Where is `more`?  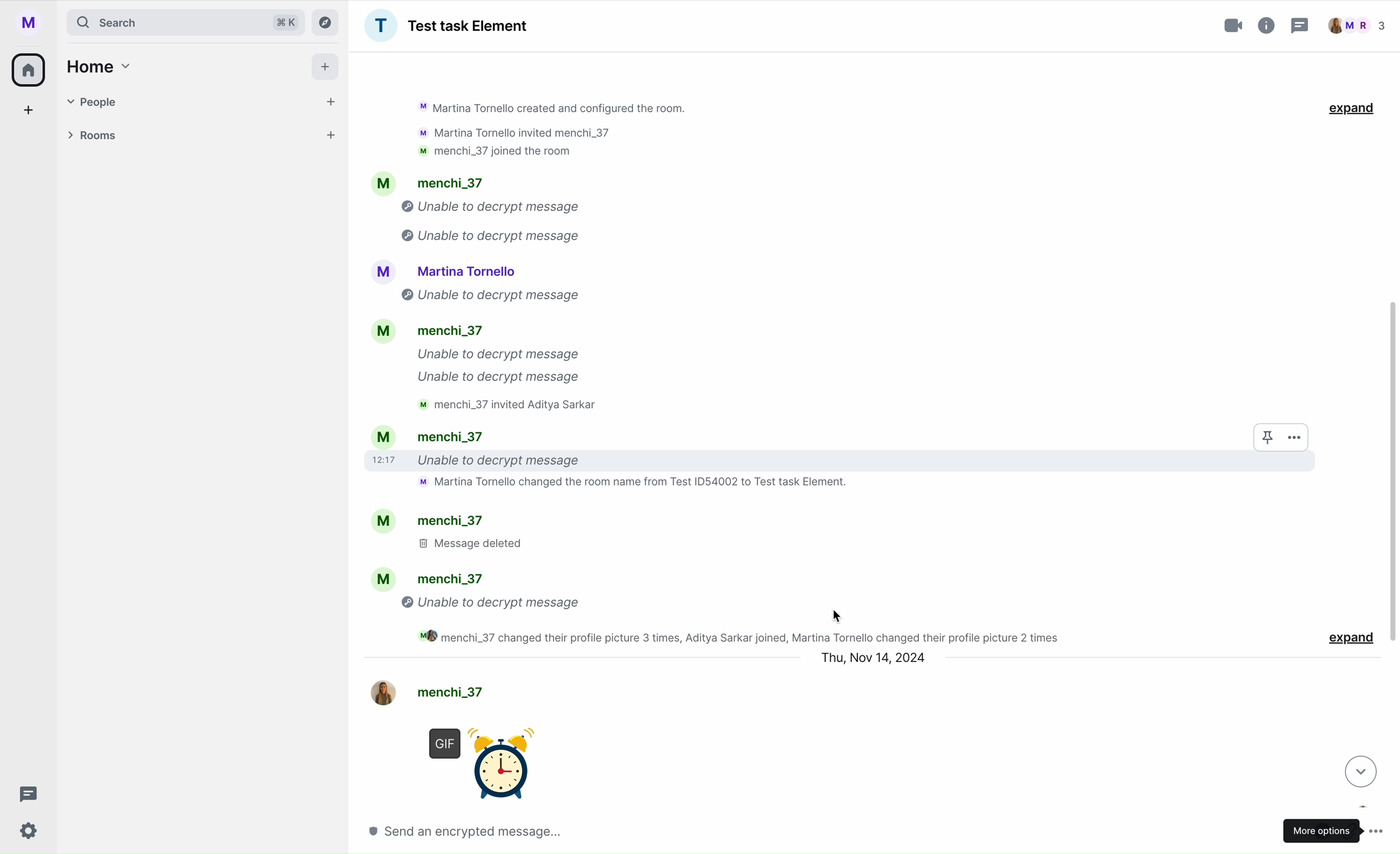 more is located at coordinates (1299, 437).